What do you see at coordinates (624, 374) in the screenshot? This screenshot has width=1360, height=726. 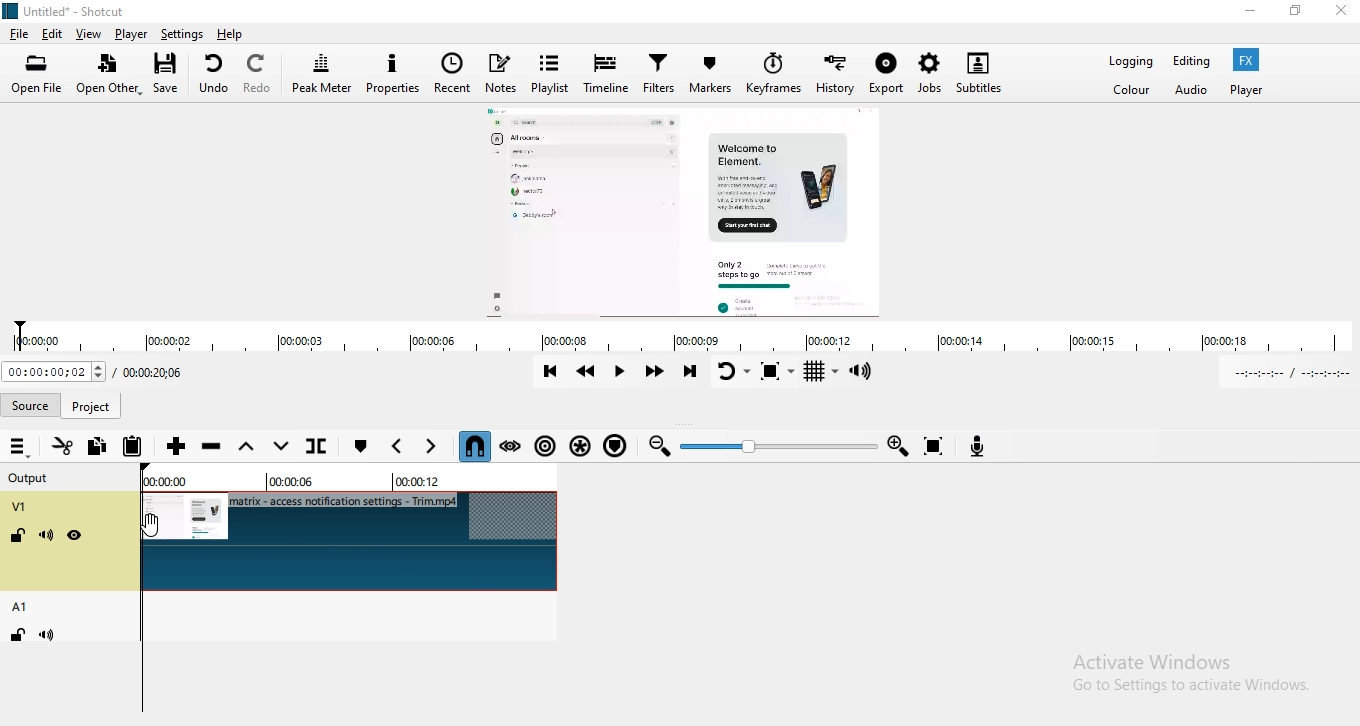 I see `Toggle play or pause` at bounding box center [624, 374].